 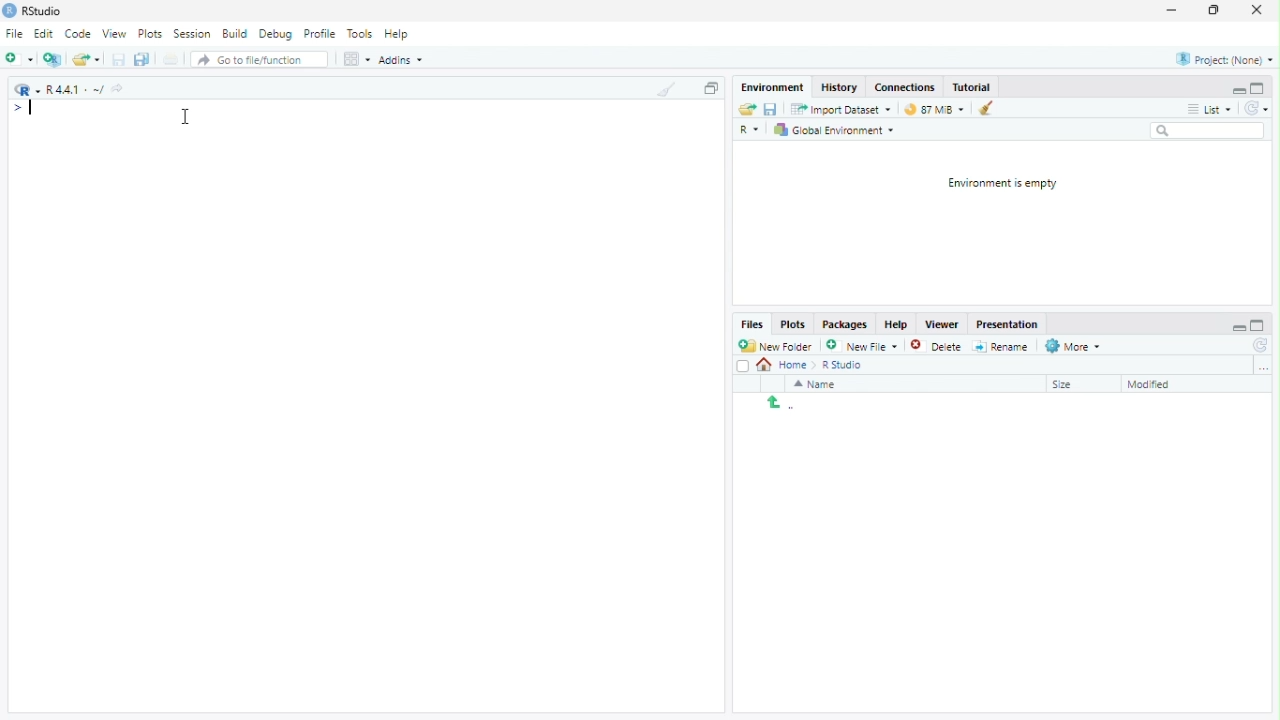 I want to click on , so click(x=775, y=88).